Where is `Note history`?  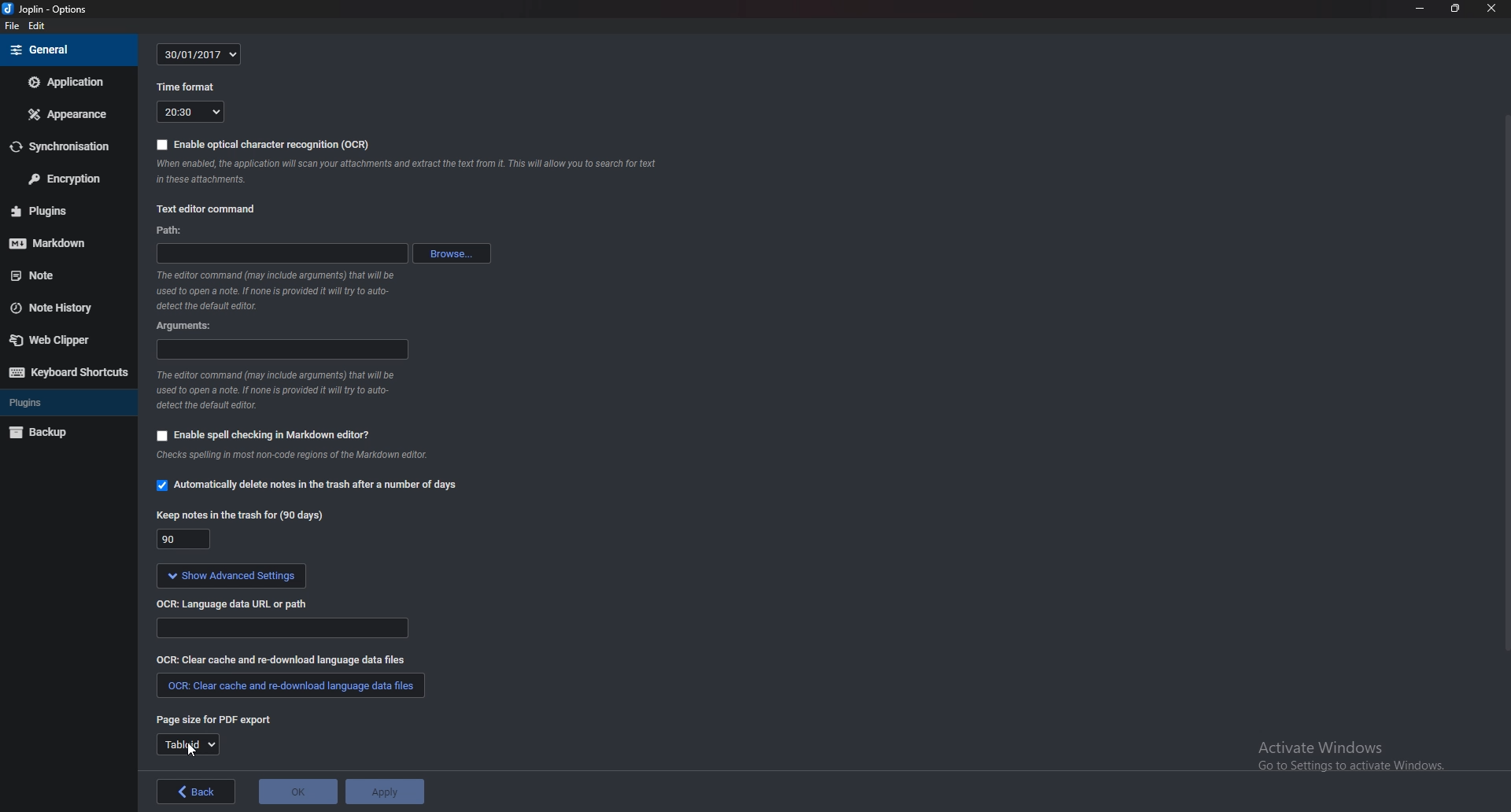 Note history is located at coordinates (62, 306).